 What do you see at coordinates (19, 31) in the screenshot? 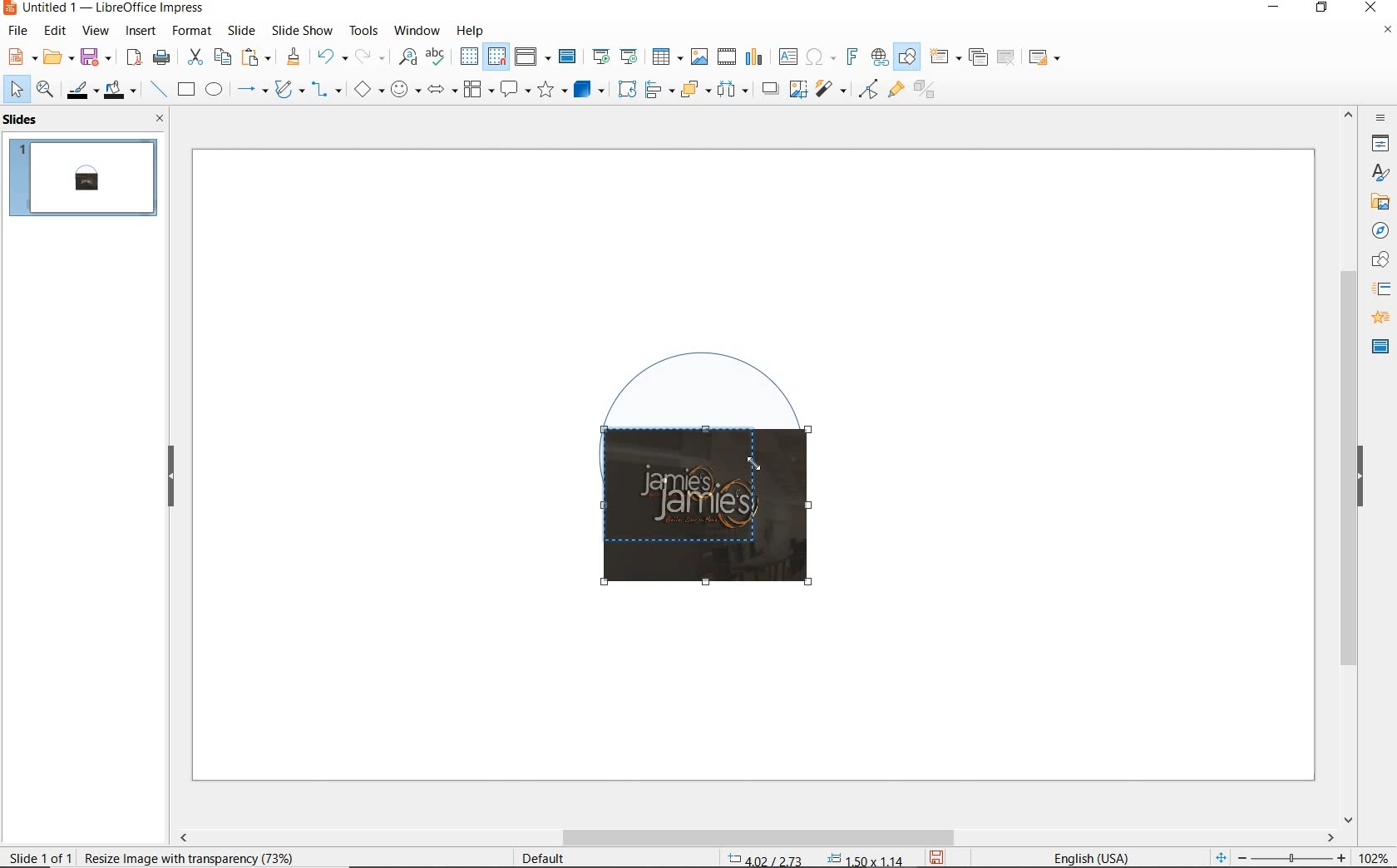
I see `file` at bounding box center [19, 31].